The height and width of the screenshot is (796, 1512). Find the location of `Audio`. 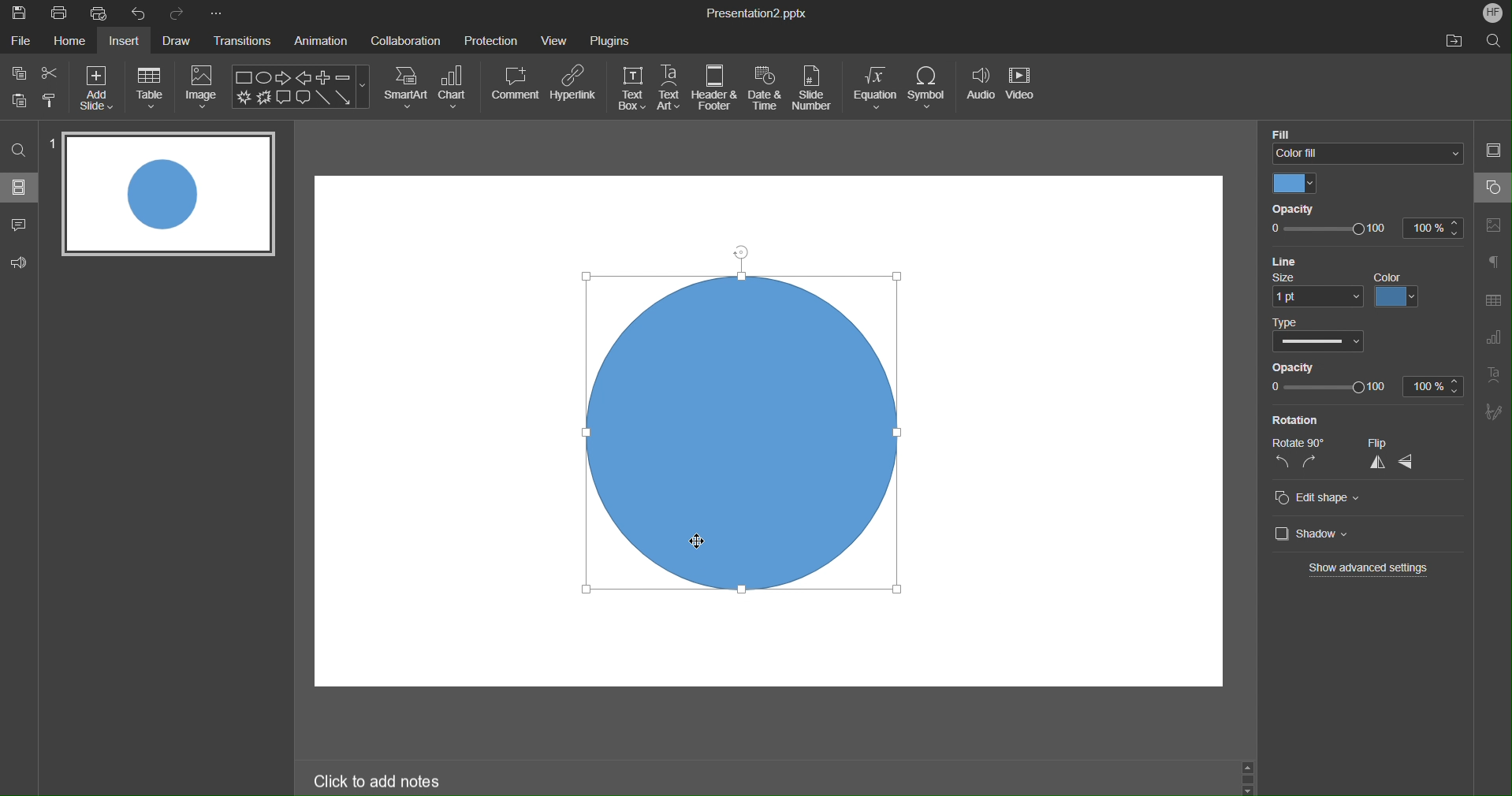

Audio is located at coordinates (979, 90).